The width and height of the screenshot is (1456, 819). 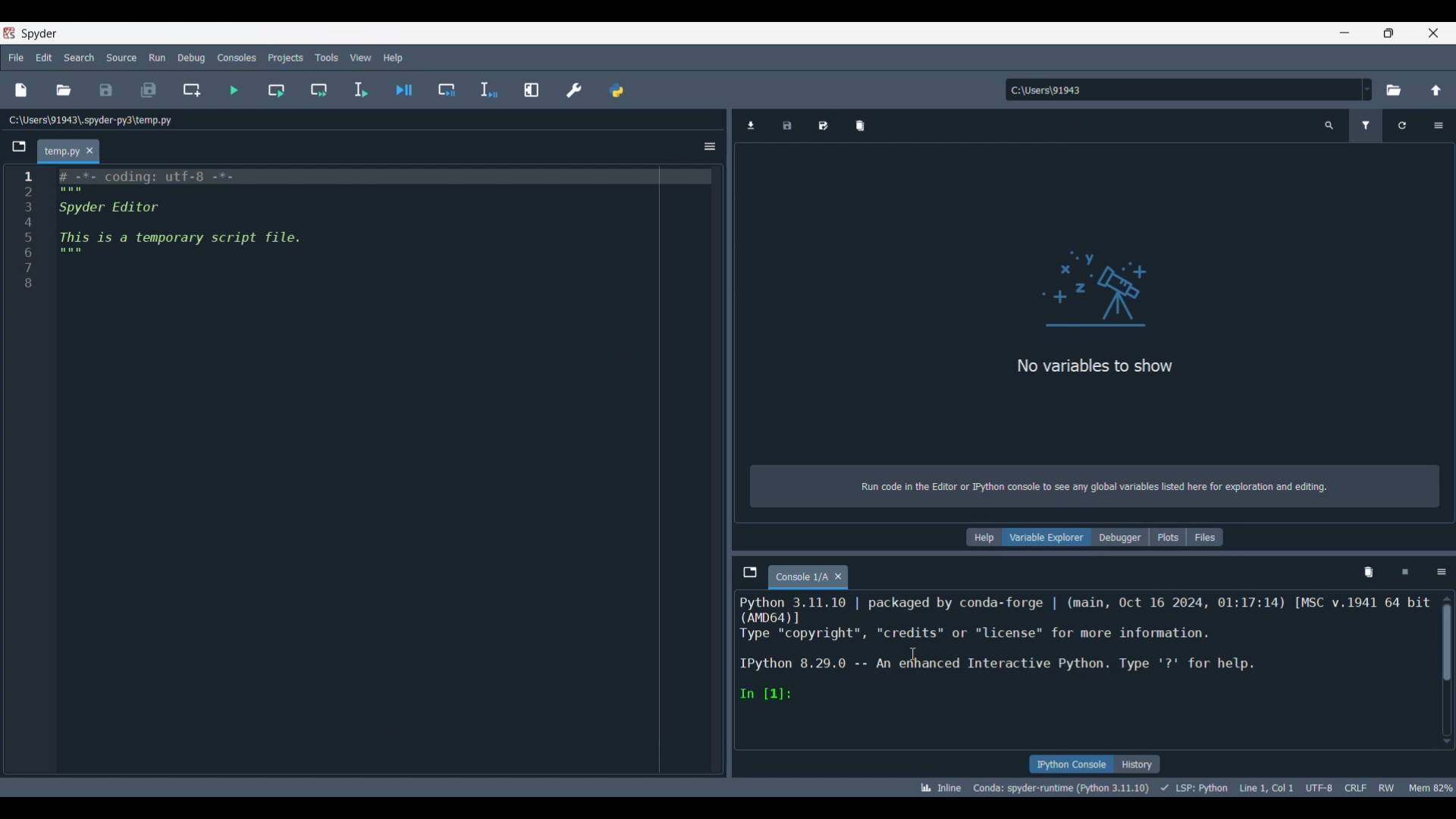 I want to click on Maximize current pane, so click(x=532, y=90).